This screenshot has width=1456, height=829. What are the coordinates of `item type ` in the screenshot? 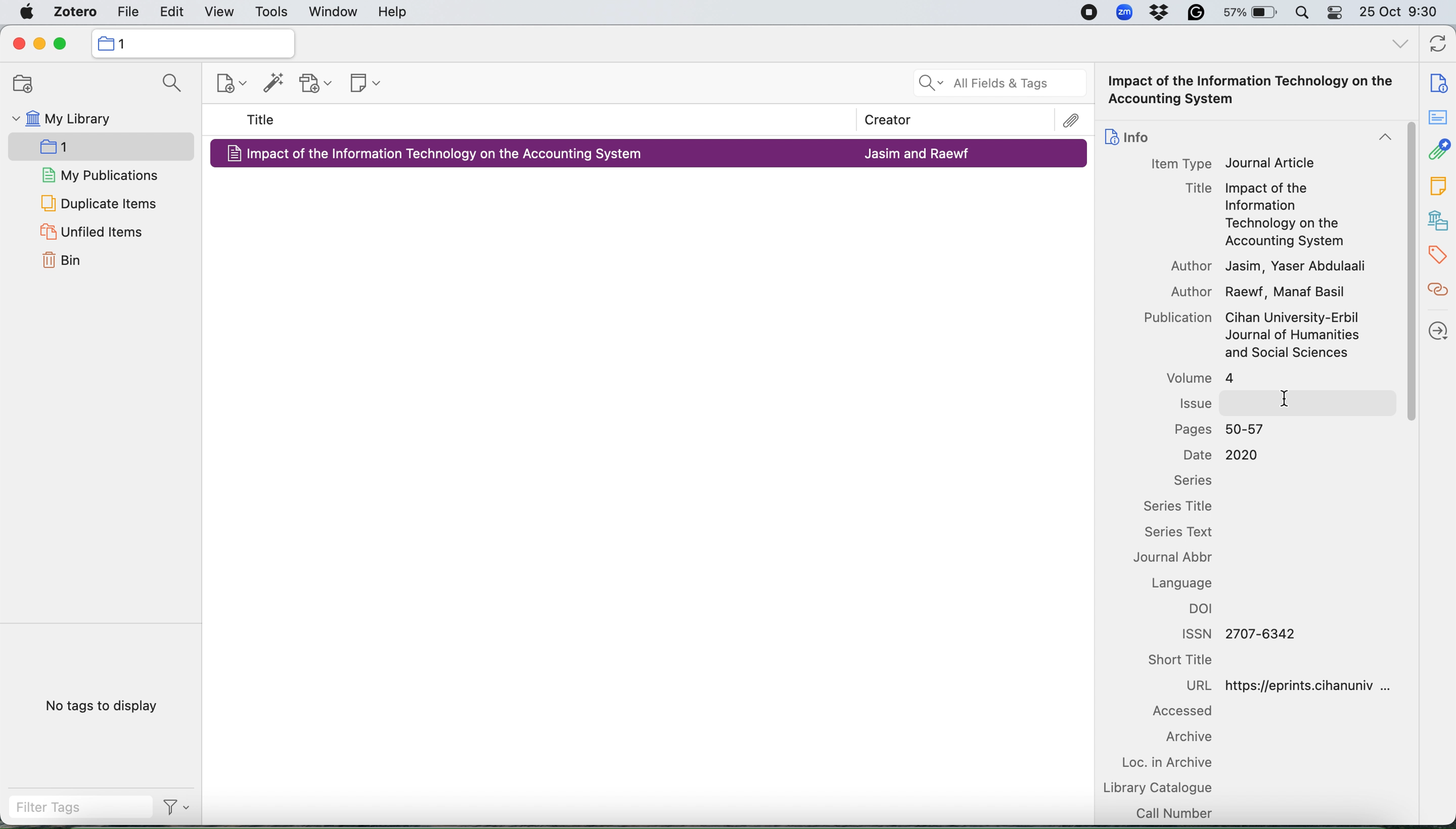 It's located at (1180, 163).